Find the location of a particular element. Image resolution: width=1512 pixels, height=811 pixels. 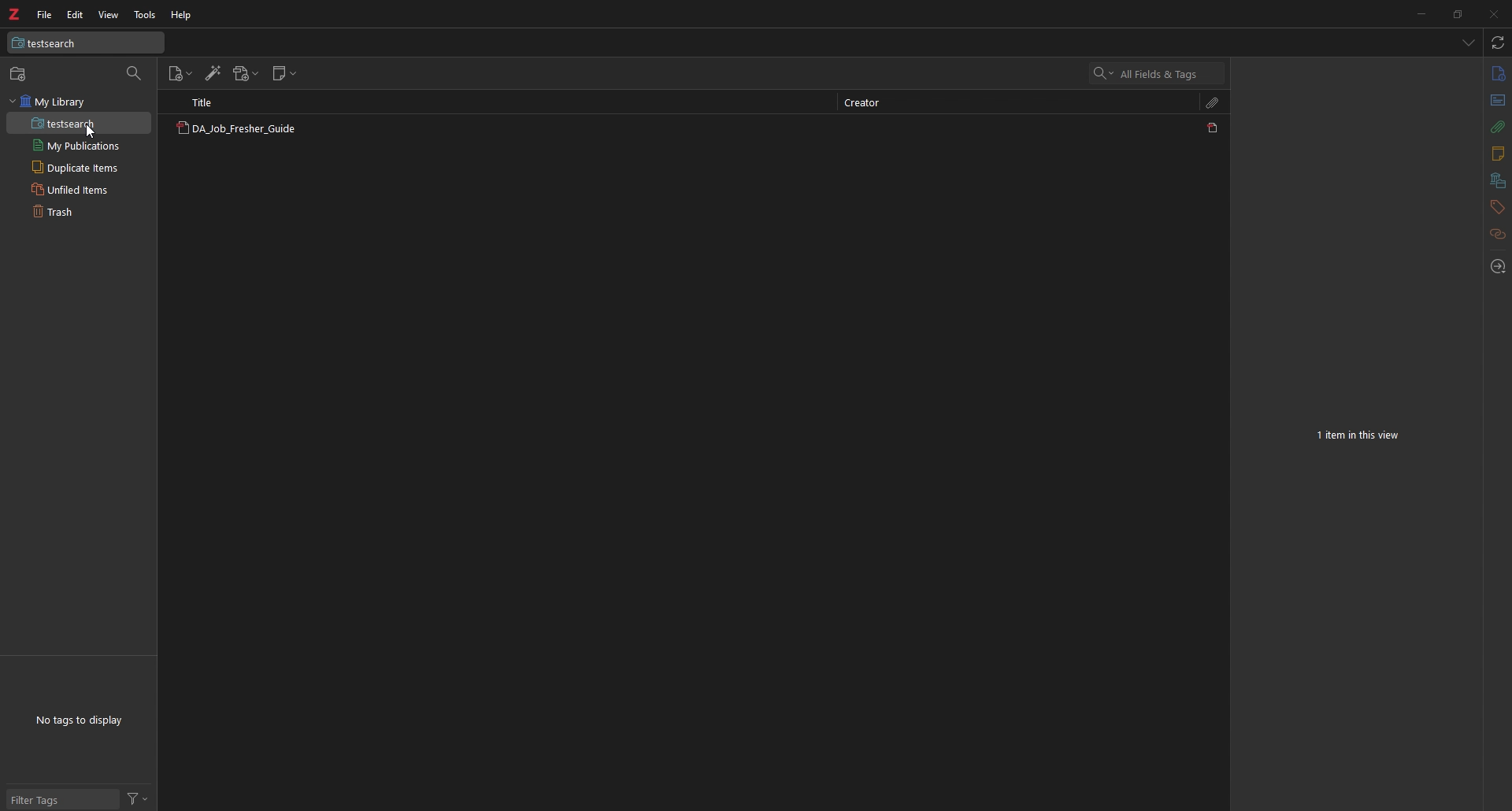

info is located at coordinates (1498, 73).